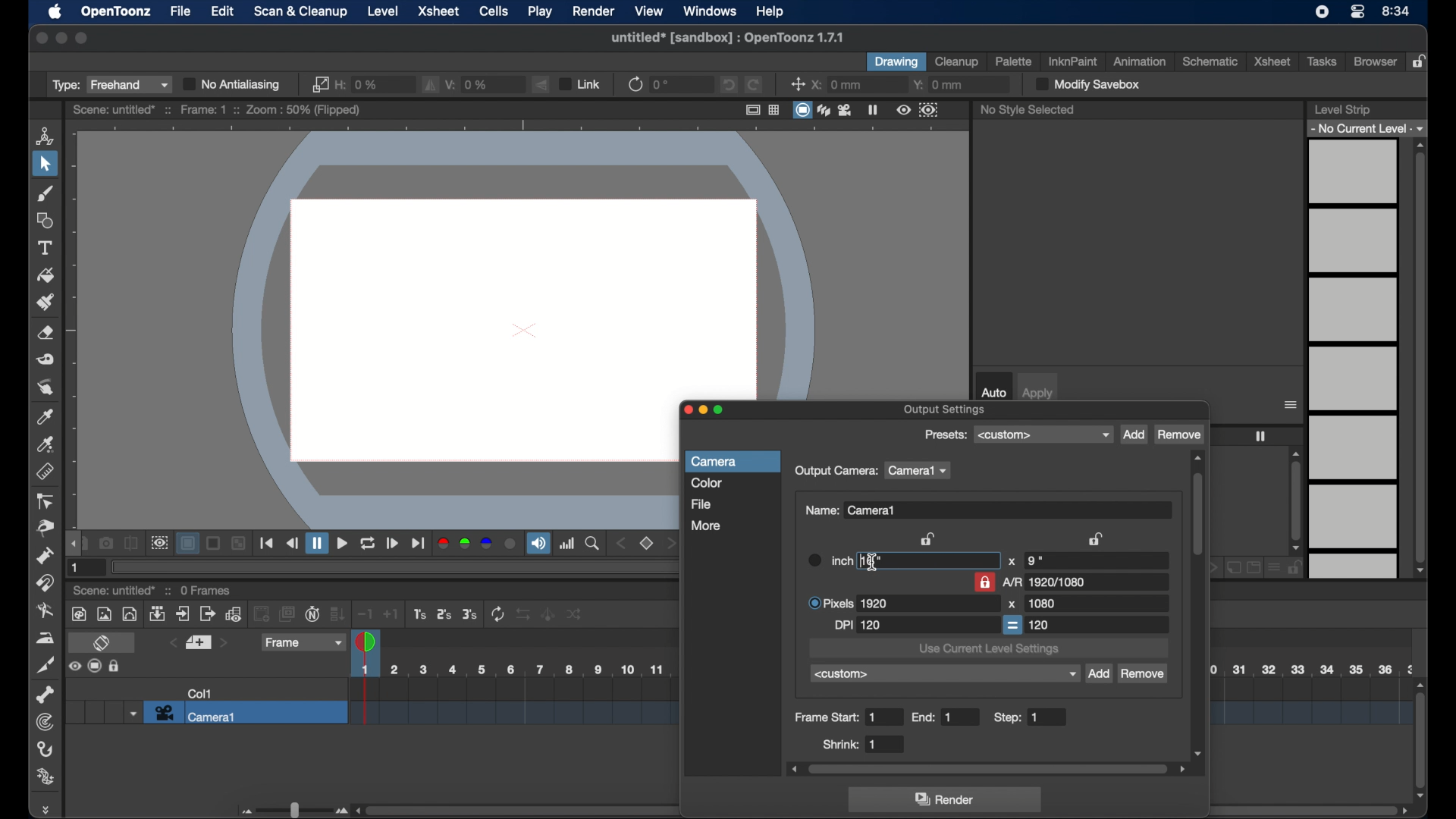 The height and width of the screenshot is (819, 1456). What do you see at coordinates (431, 84) in the screenshot?
I see `fill horizontally` at bounding box center [431, 84].